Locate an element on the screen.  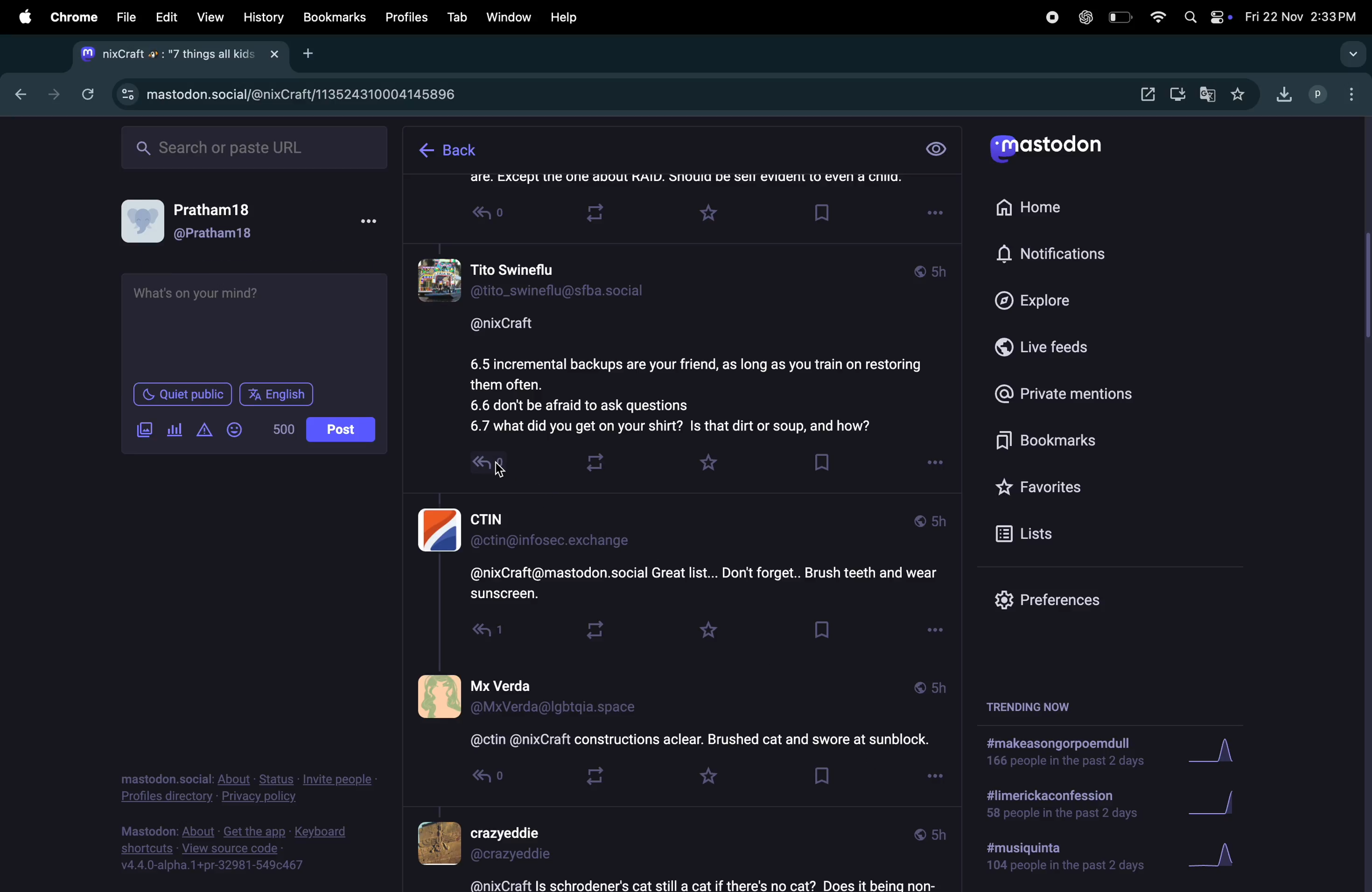
edit is located at coordinates (166, 17).